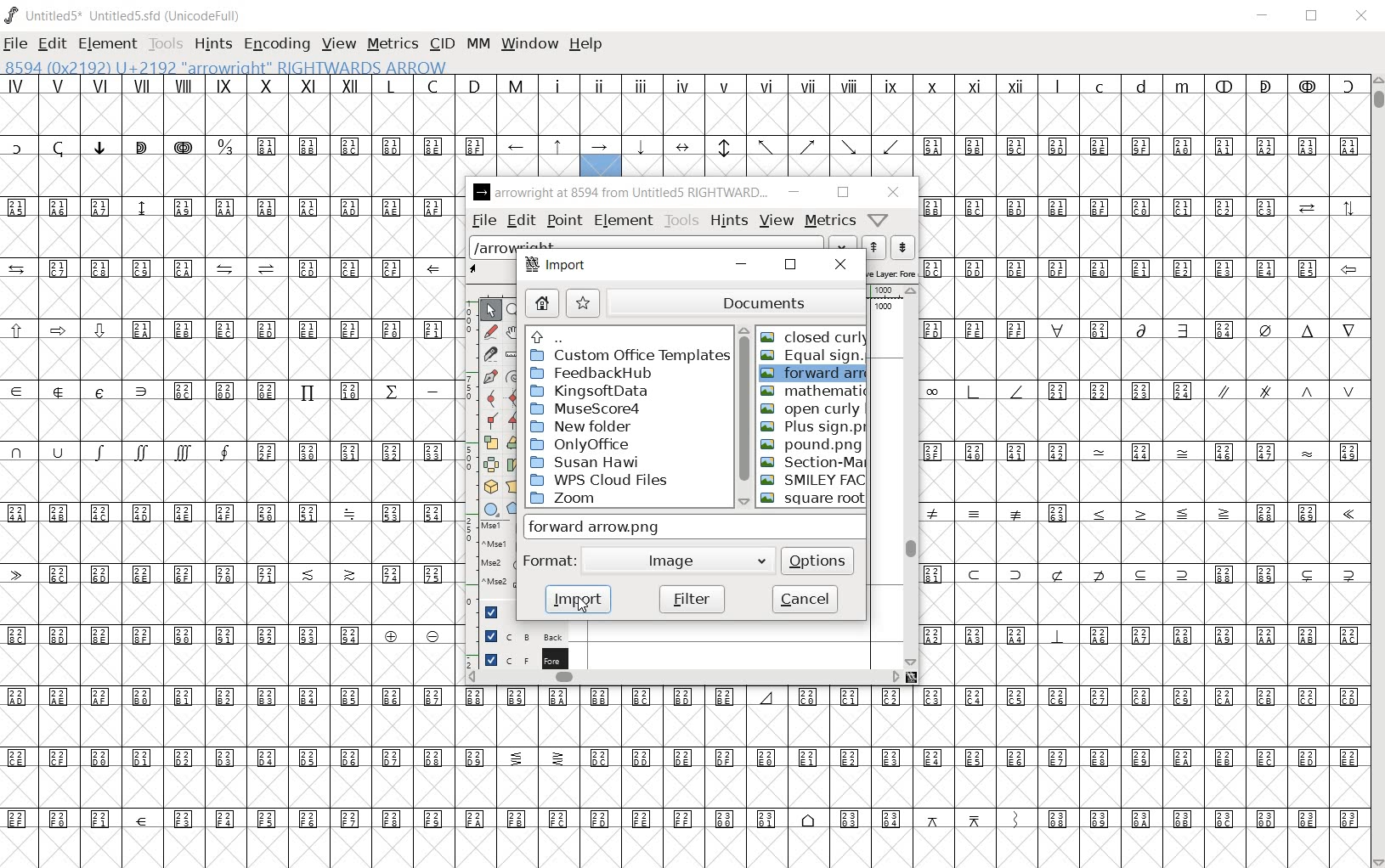  Describe the element at coordinates (489, 352) in the screenshot. I see `cut splines in two` at that location.